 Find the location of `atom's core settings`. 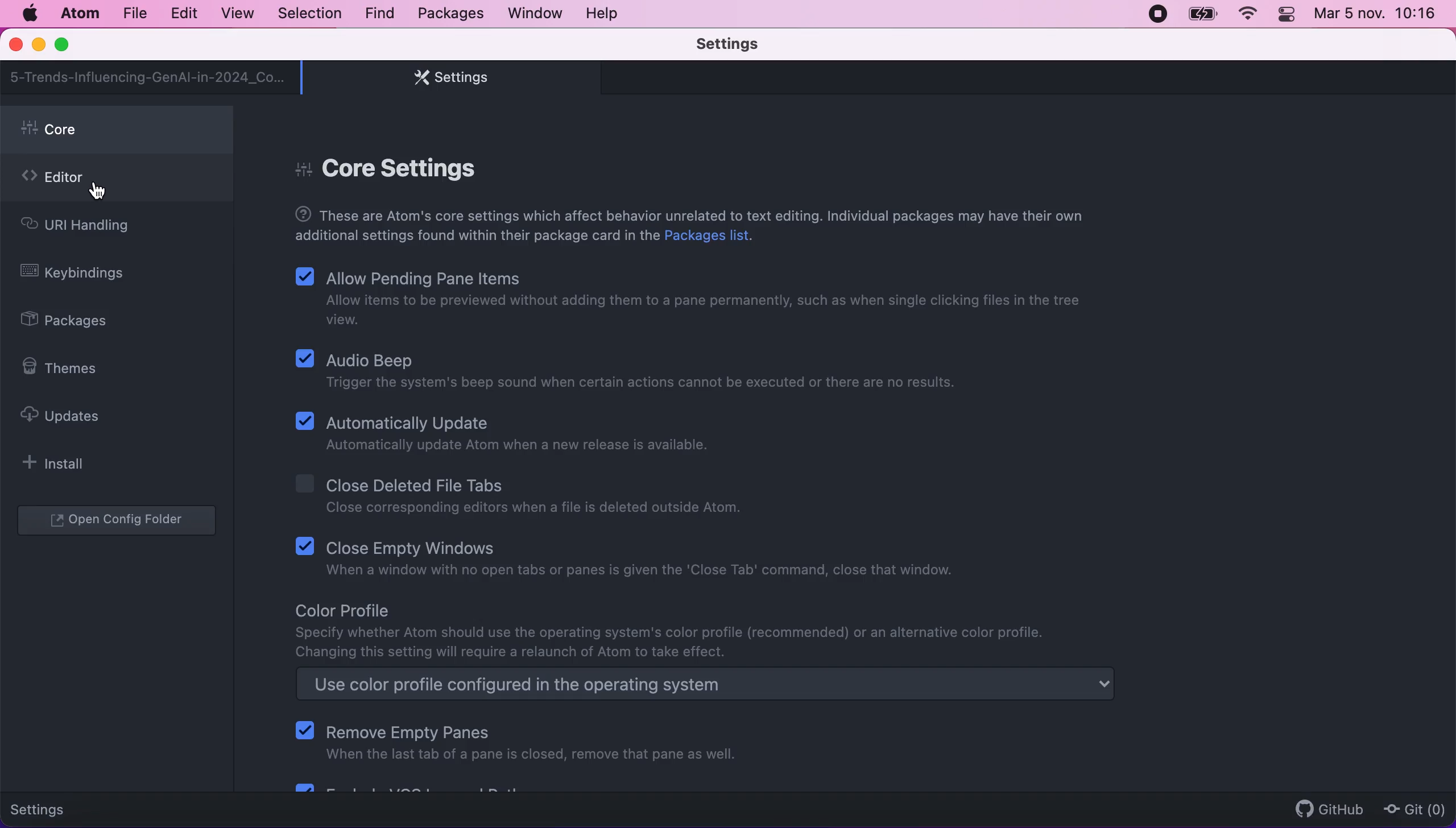

atom's core settings is located at coordinates (696, 226).